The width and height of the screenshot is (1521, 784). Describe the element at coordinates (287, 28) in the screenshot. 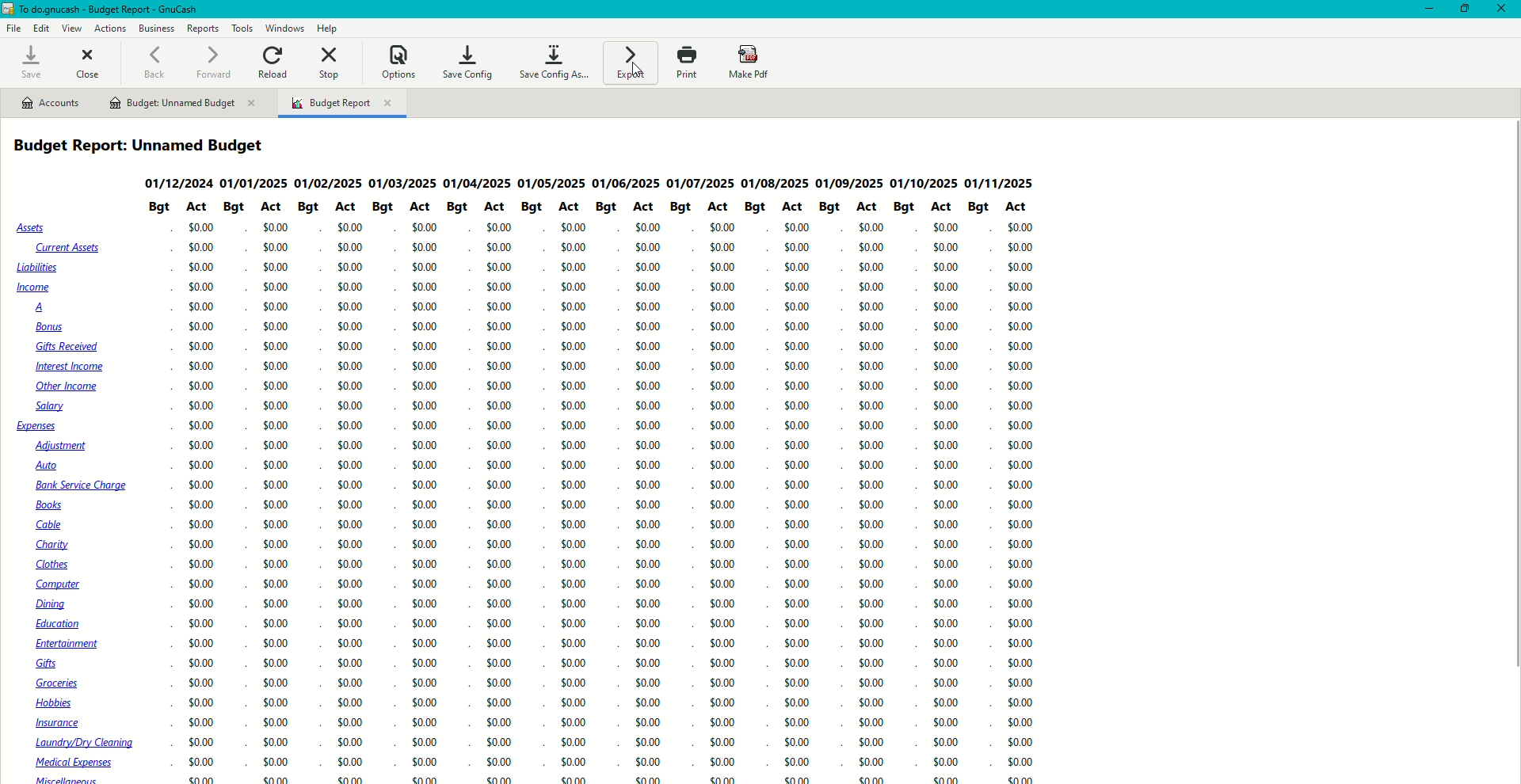

I see `Windows` at that location.